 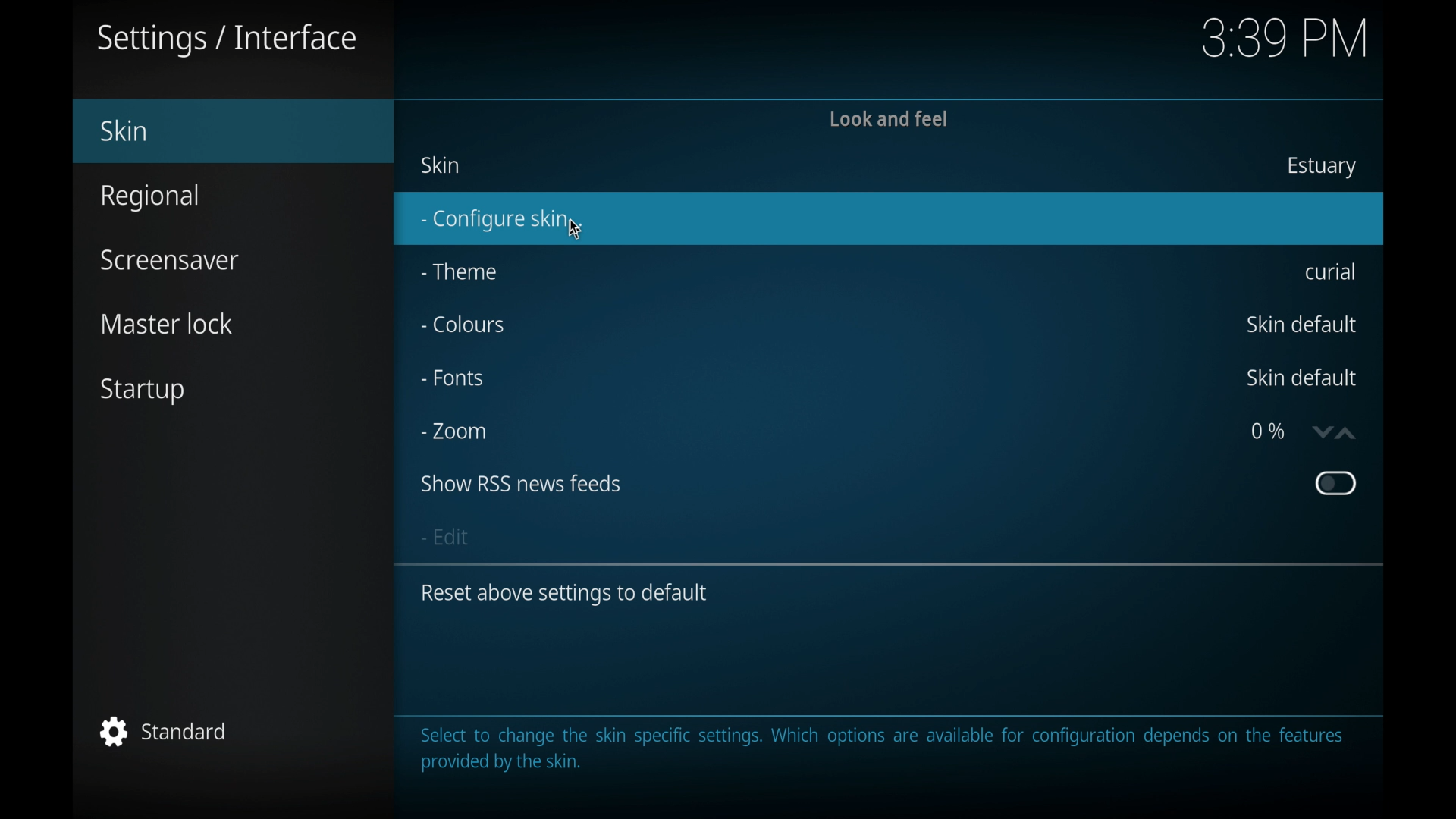 I want to click on skin, so click(x=234, y=132).